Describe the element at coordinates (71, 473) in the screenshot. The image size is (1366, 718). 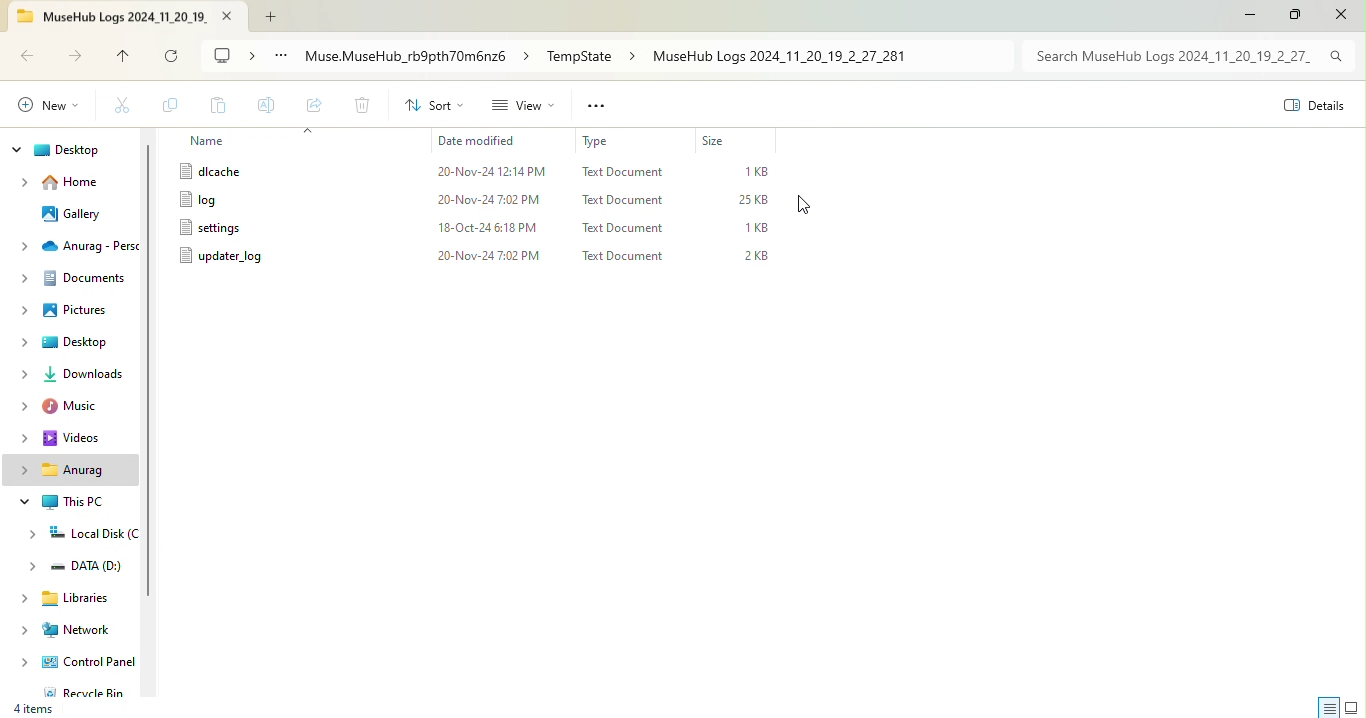
I see `Personal folder` at that location.